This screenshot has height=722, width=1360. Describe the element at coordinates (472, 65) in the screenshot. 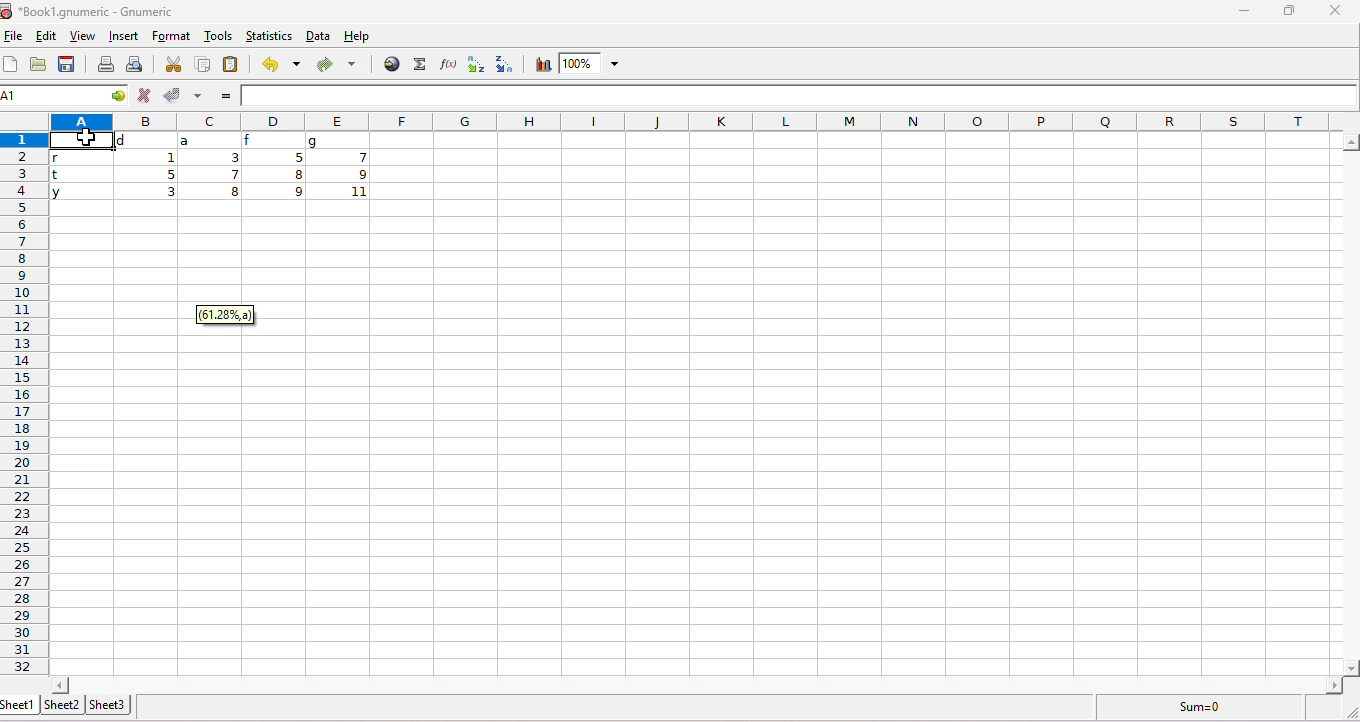

I see `sort ascending` at that location.